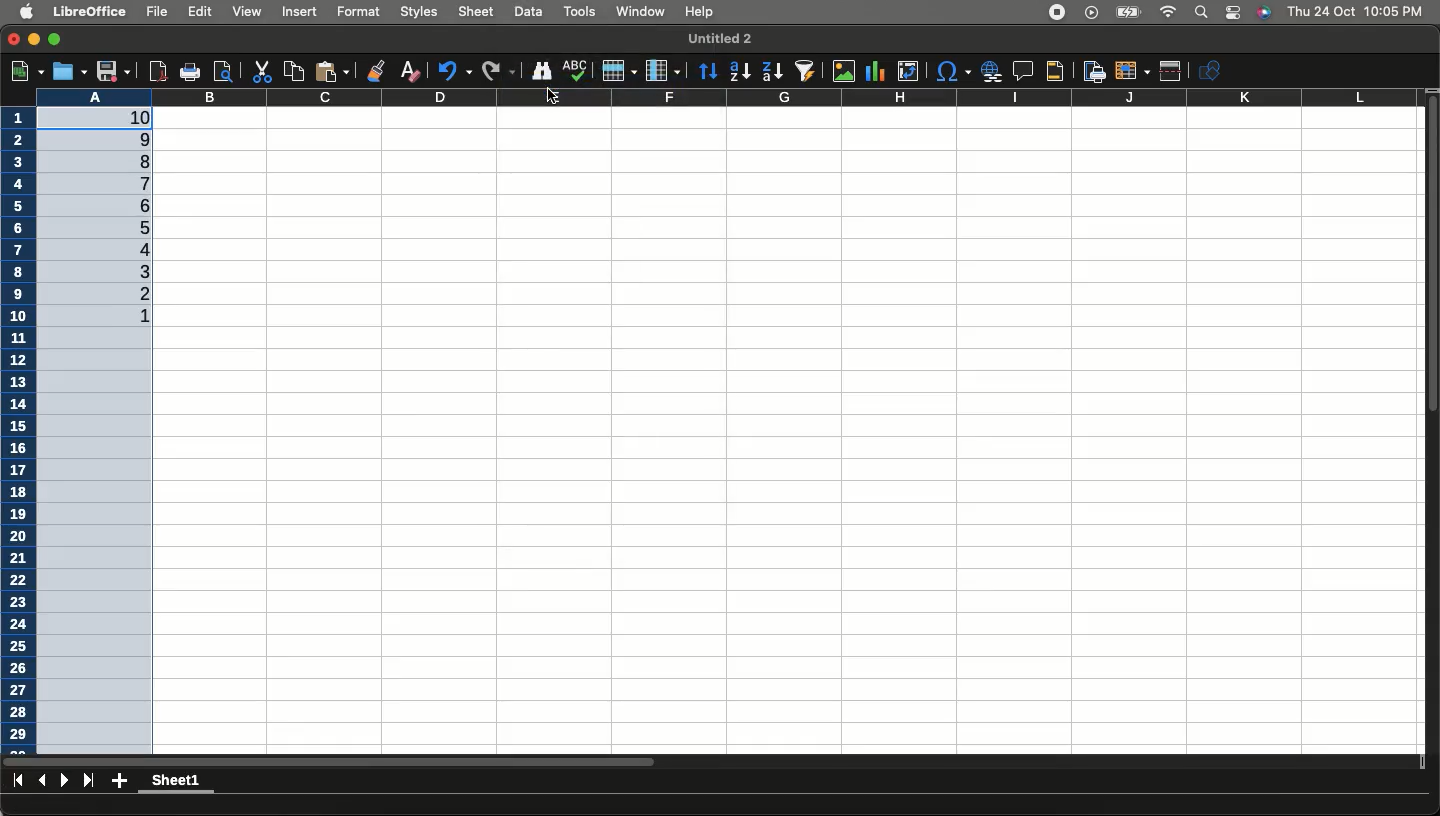 The image size is (1440, 816). I want to click on Headers and footers, so click(1054, 72).